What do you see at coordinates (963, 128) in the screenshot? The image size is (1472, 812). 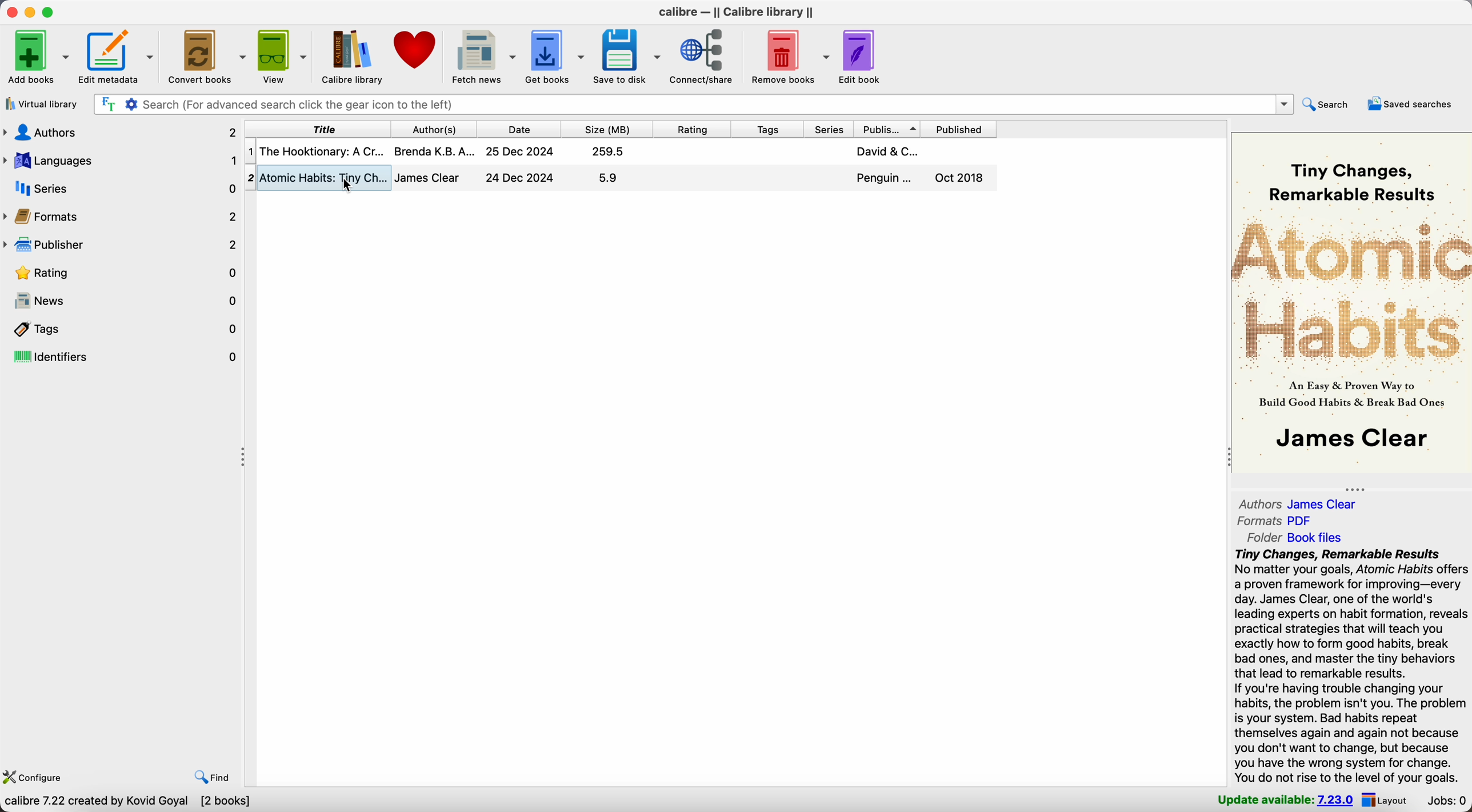 I see `published` at bounding box center [963, 128].